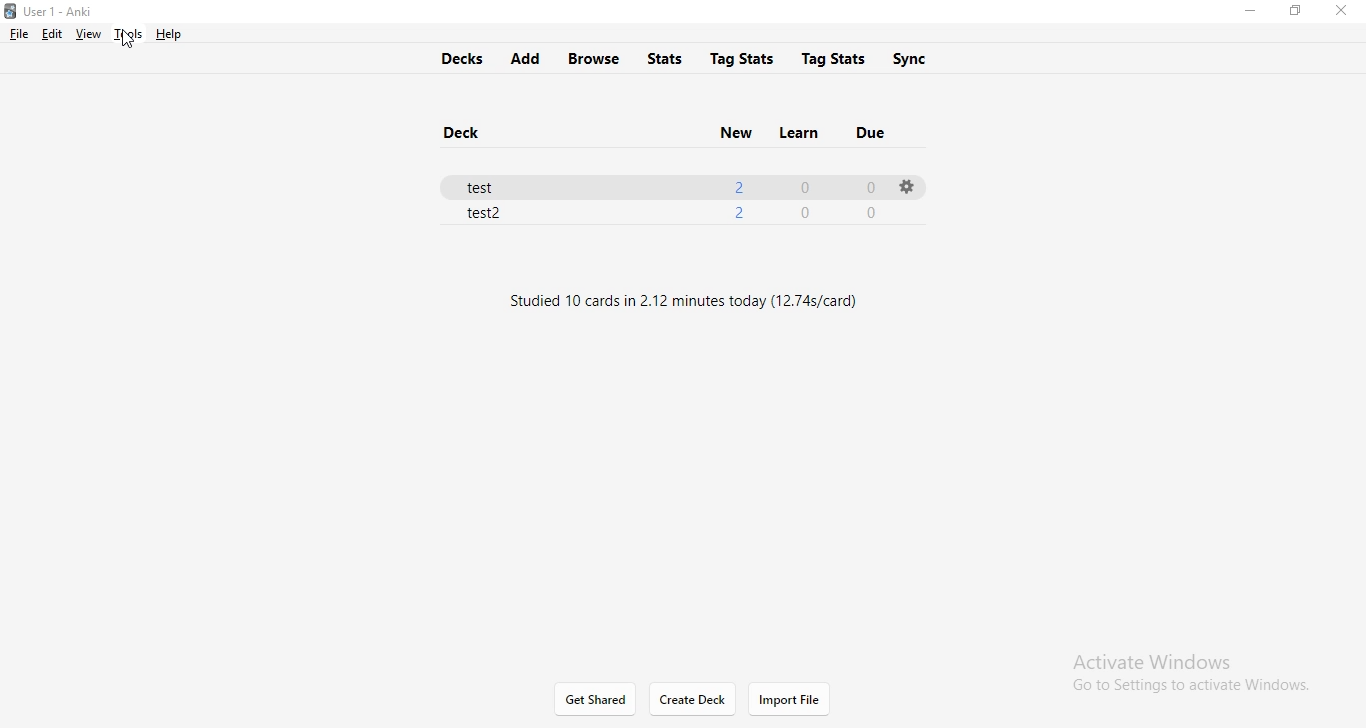 This screenshot has height=728, width=1366. I want to click on cursor, so click(125, 45).